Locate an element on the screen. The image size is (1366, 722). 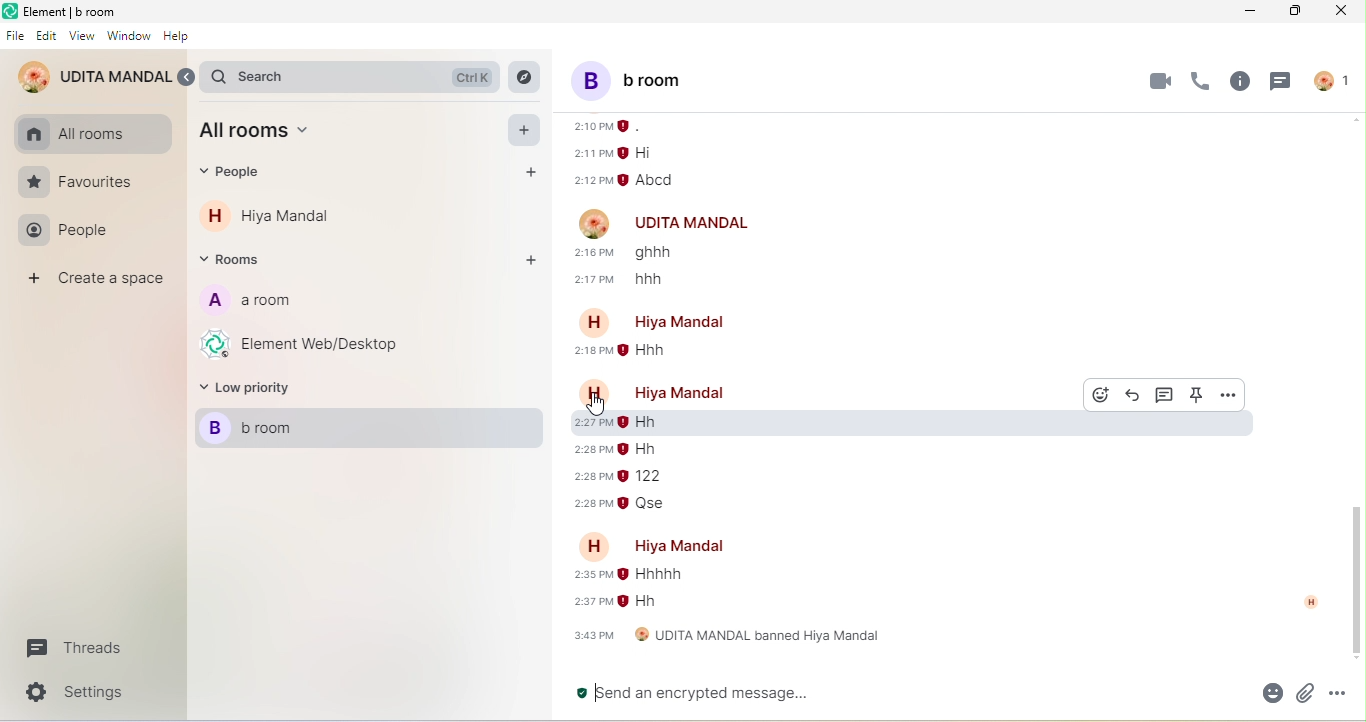
hhh-older message from hiya mandal is located at coordinates (652, 354).